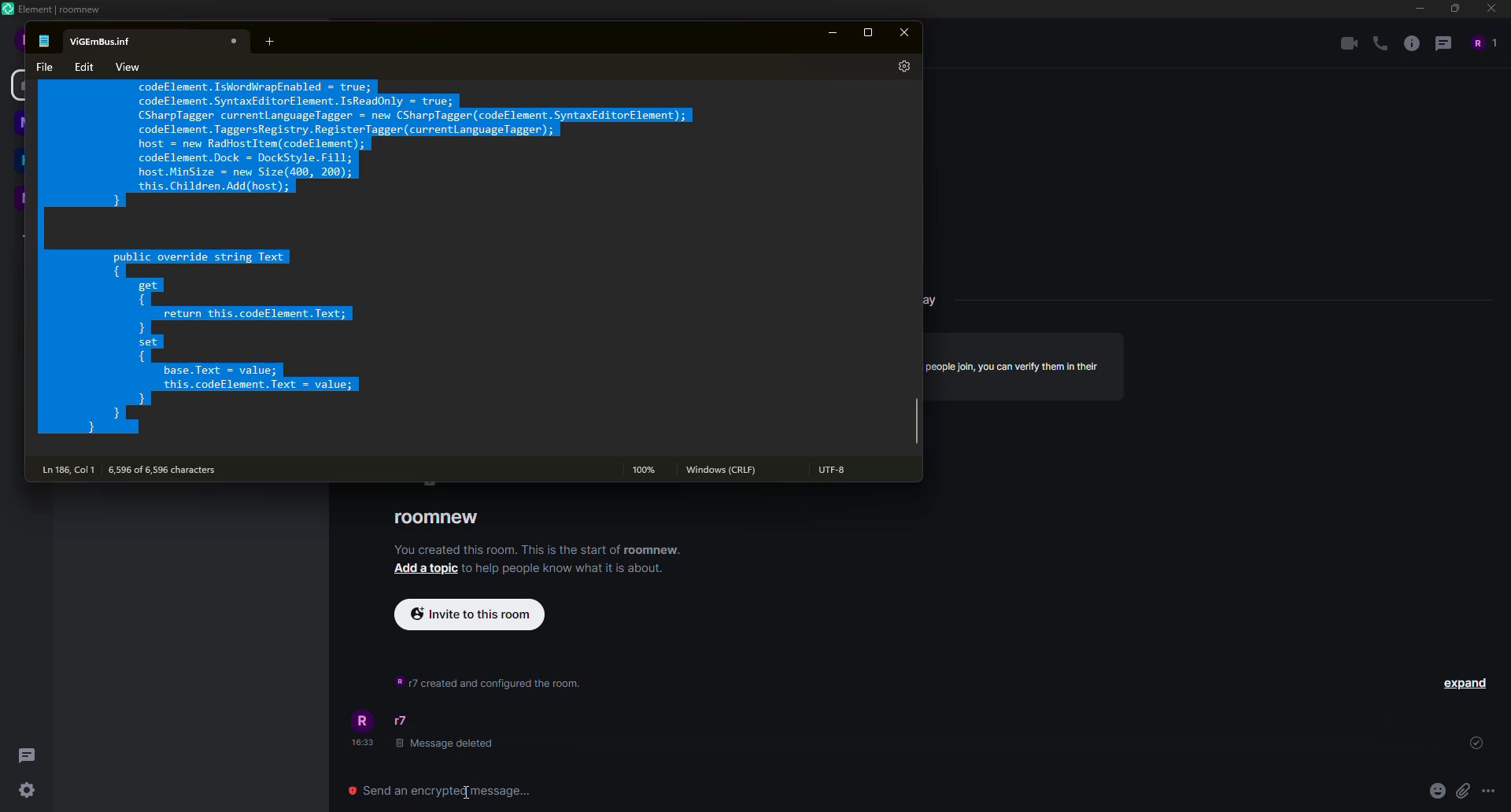 Image resolution: width=1511 pixels, height=812 pixels. I want to click on r7, so click(403, 721).